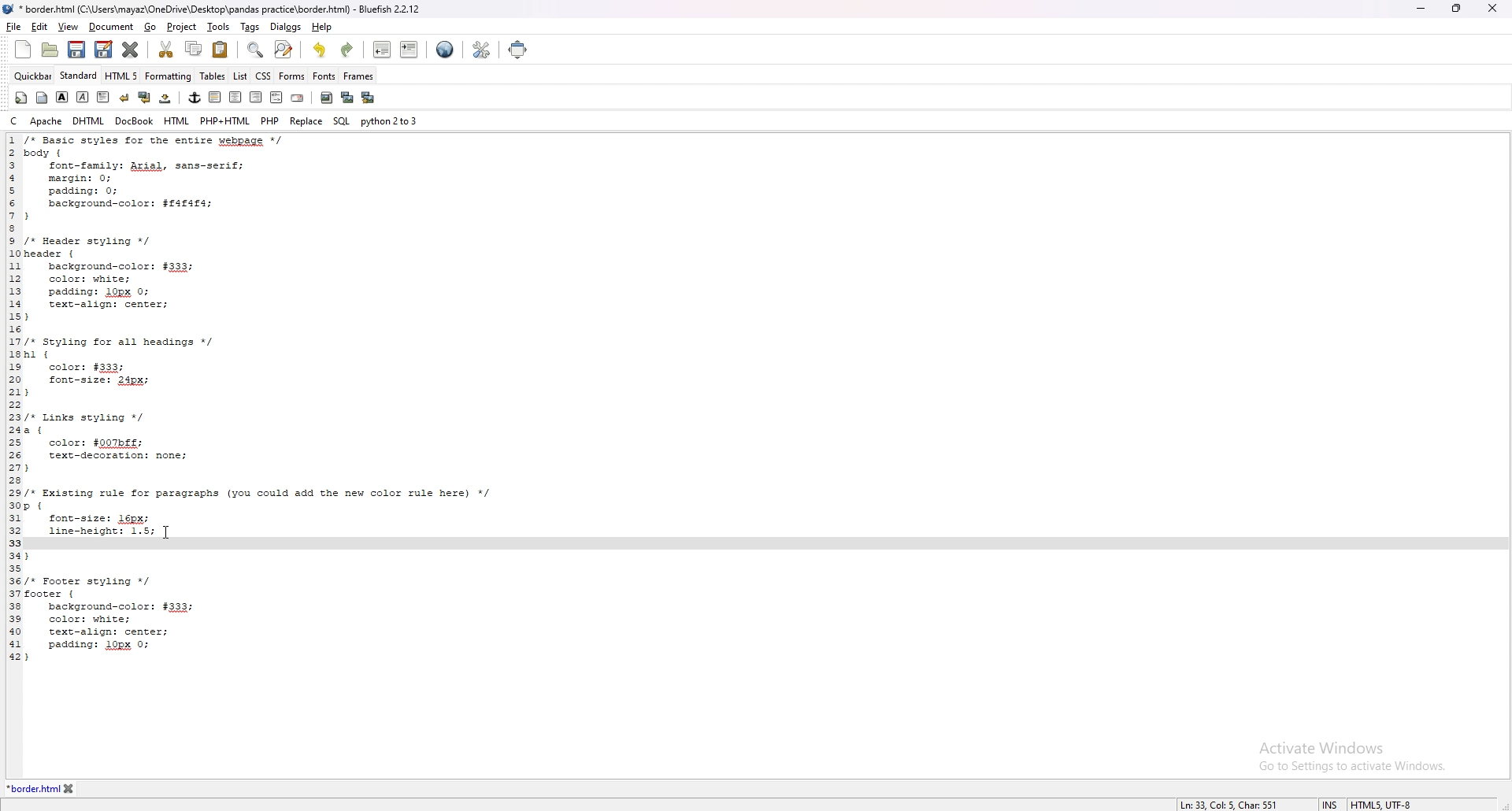 The height and width of the screenshot is (811, 1512). I want to click on close current tab, so click(132, 49).